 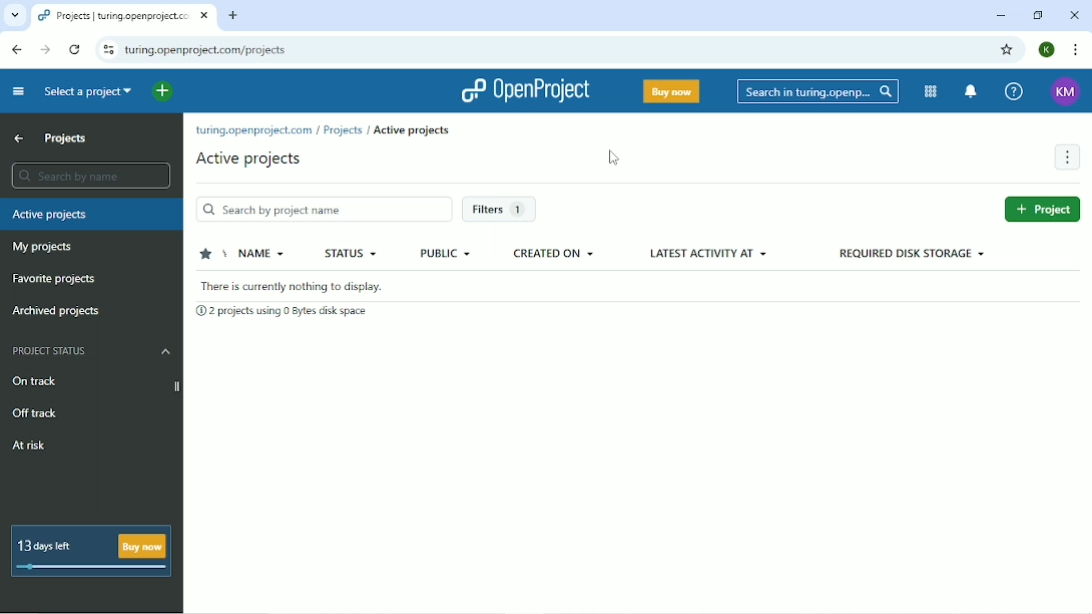 I want to click on Bookmark this tab, so click(x=1007, y=50).